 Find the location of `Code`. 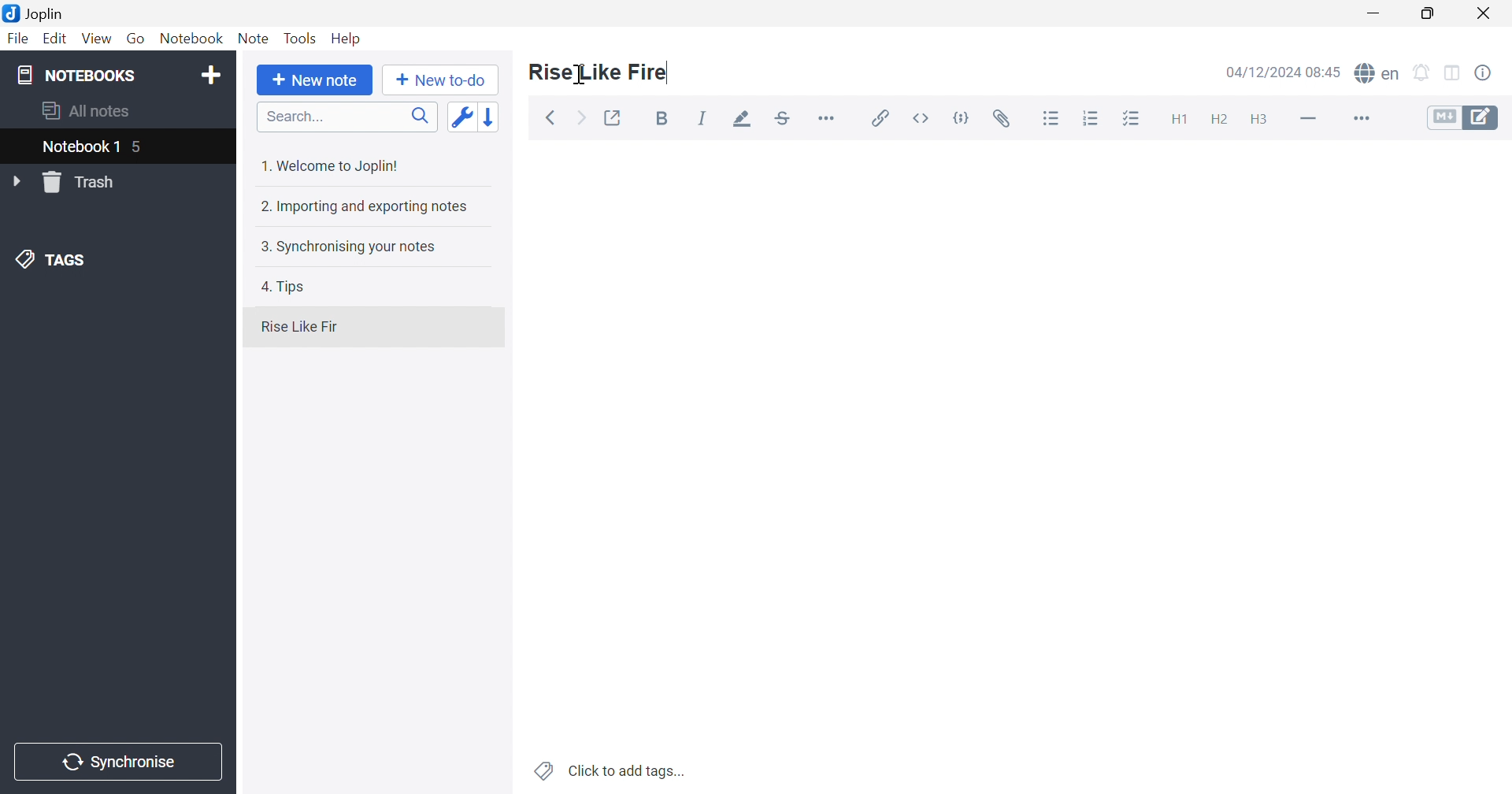

Code is located at coordinates (960, 120).